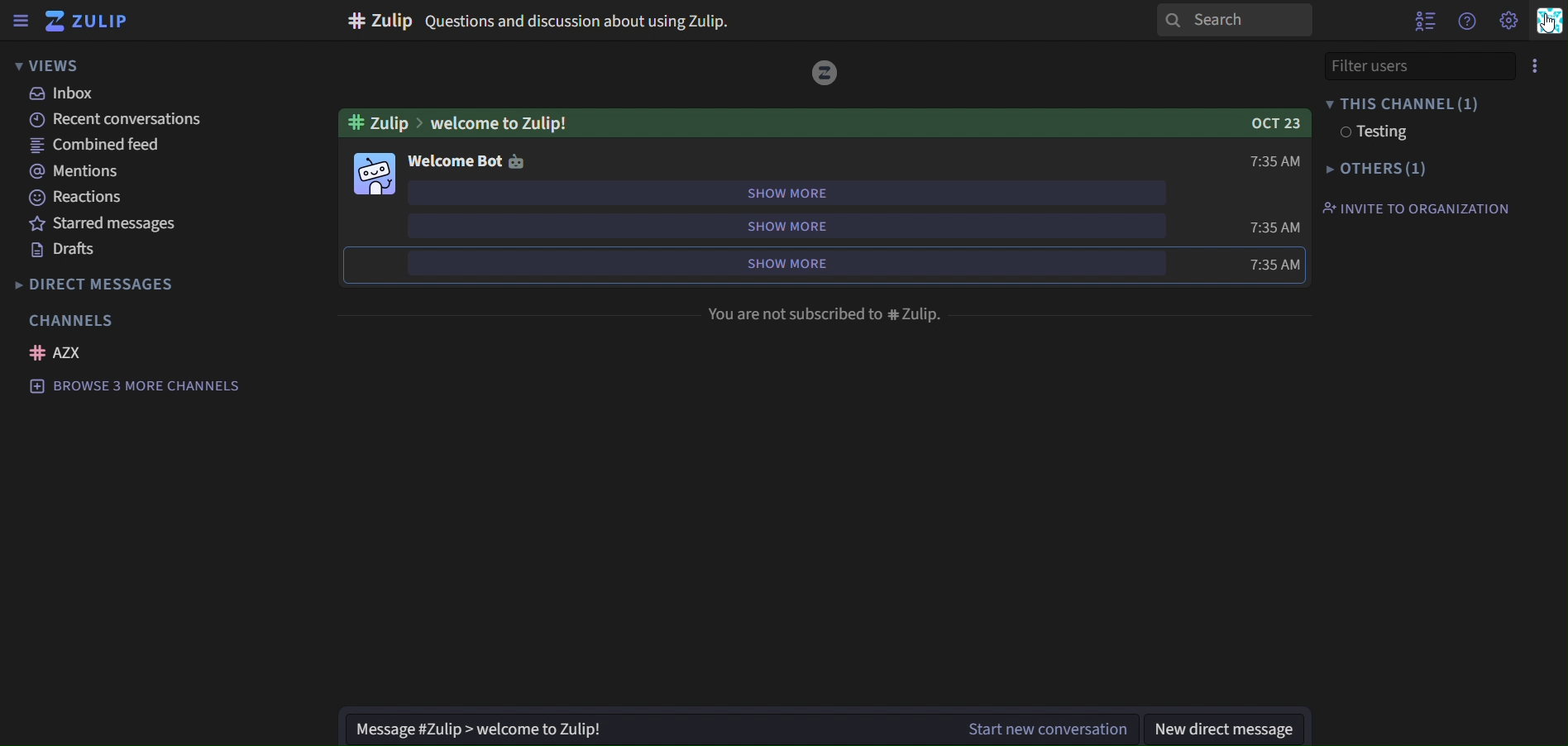  Describe the element at coordinates (1417, 208) in the screenshot. I see `invite to organization` at that location.